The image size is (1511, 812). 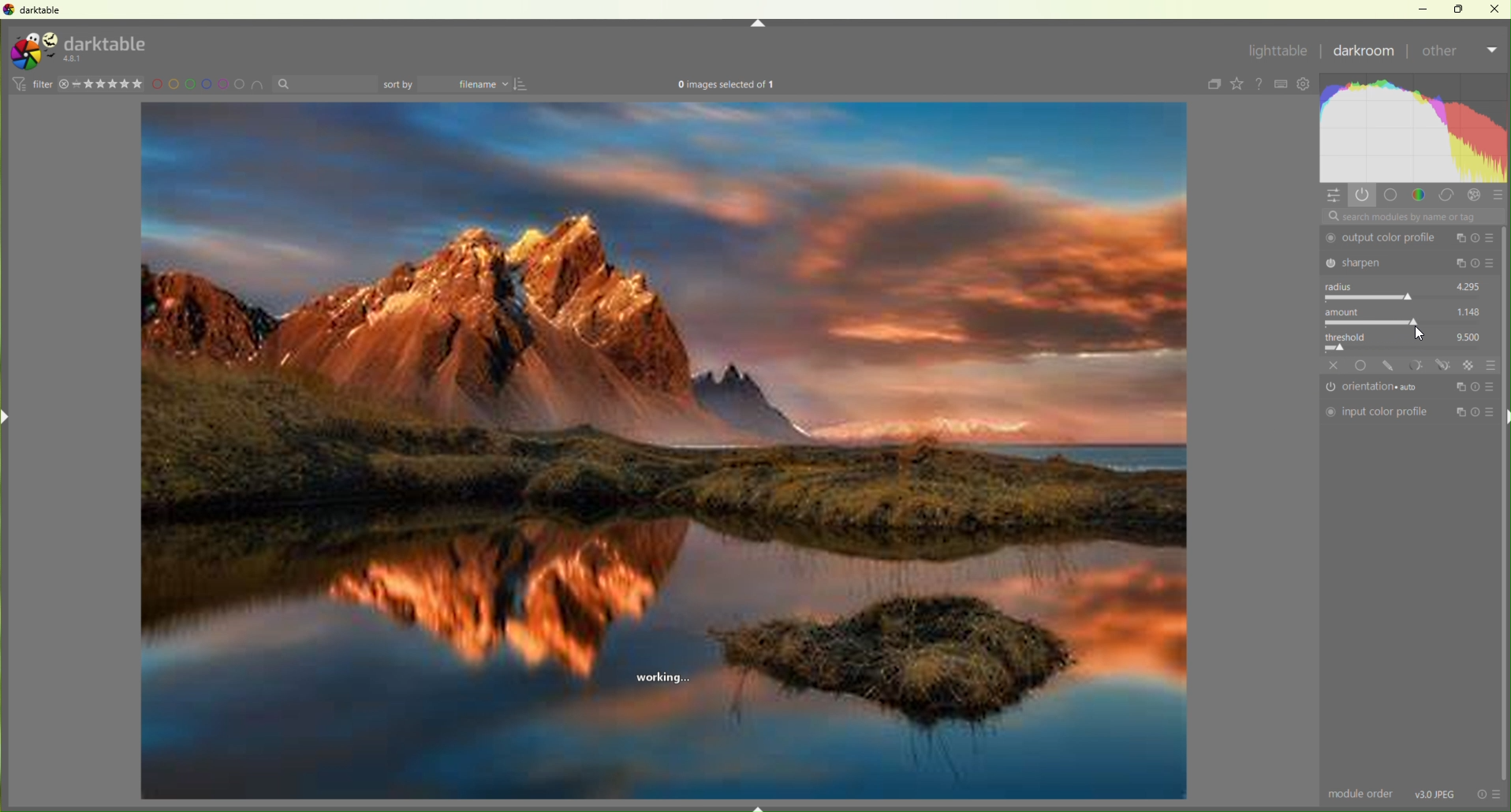 What do you see at coordinates (1420, 333) in the screenshot?
I see `cursor` at bounding box center [1420, 333].